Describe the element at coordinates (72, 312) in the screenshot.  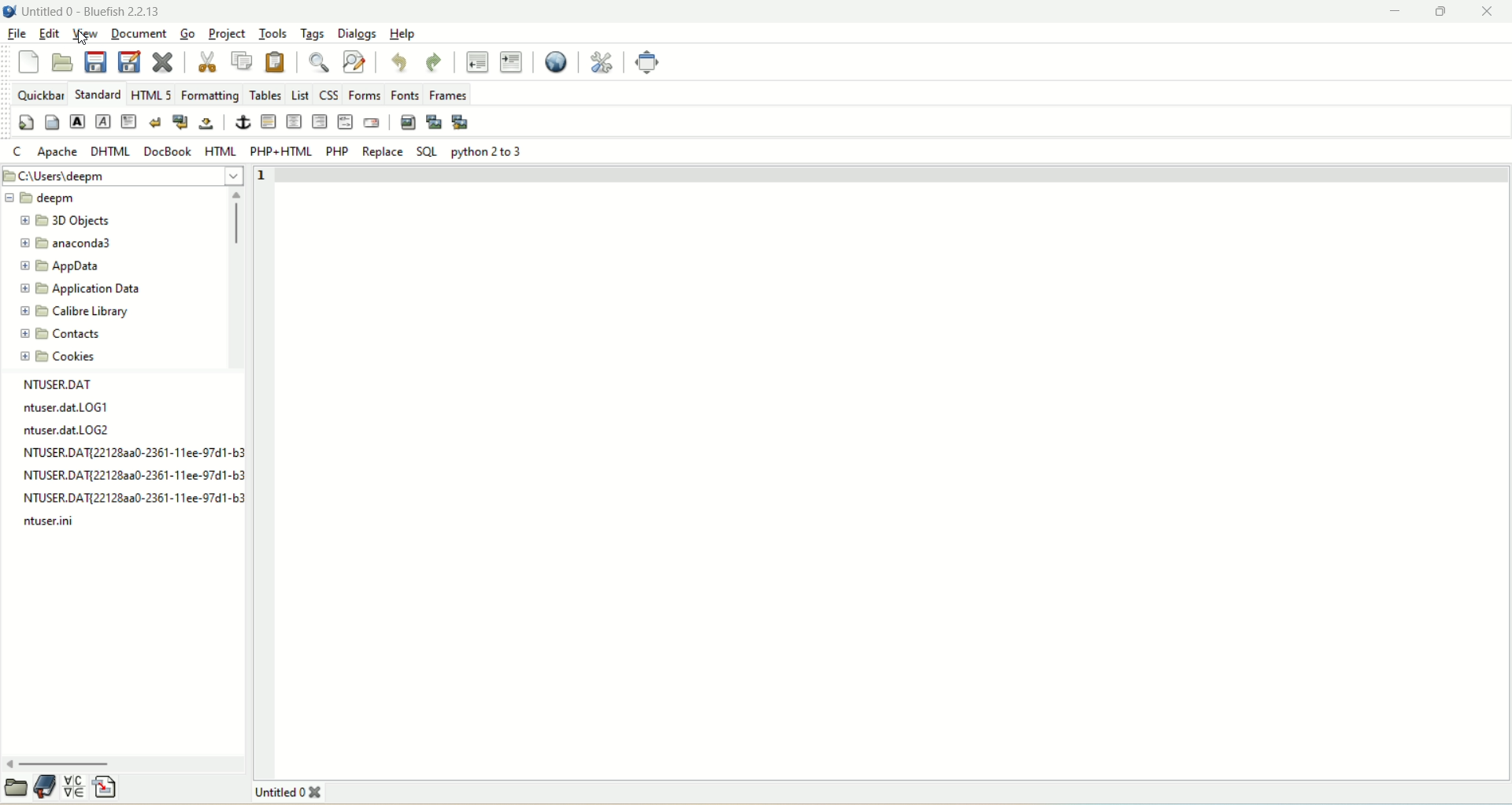
I see `calibre` at that location.